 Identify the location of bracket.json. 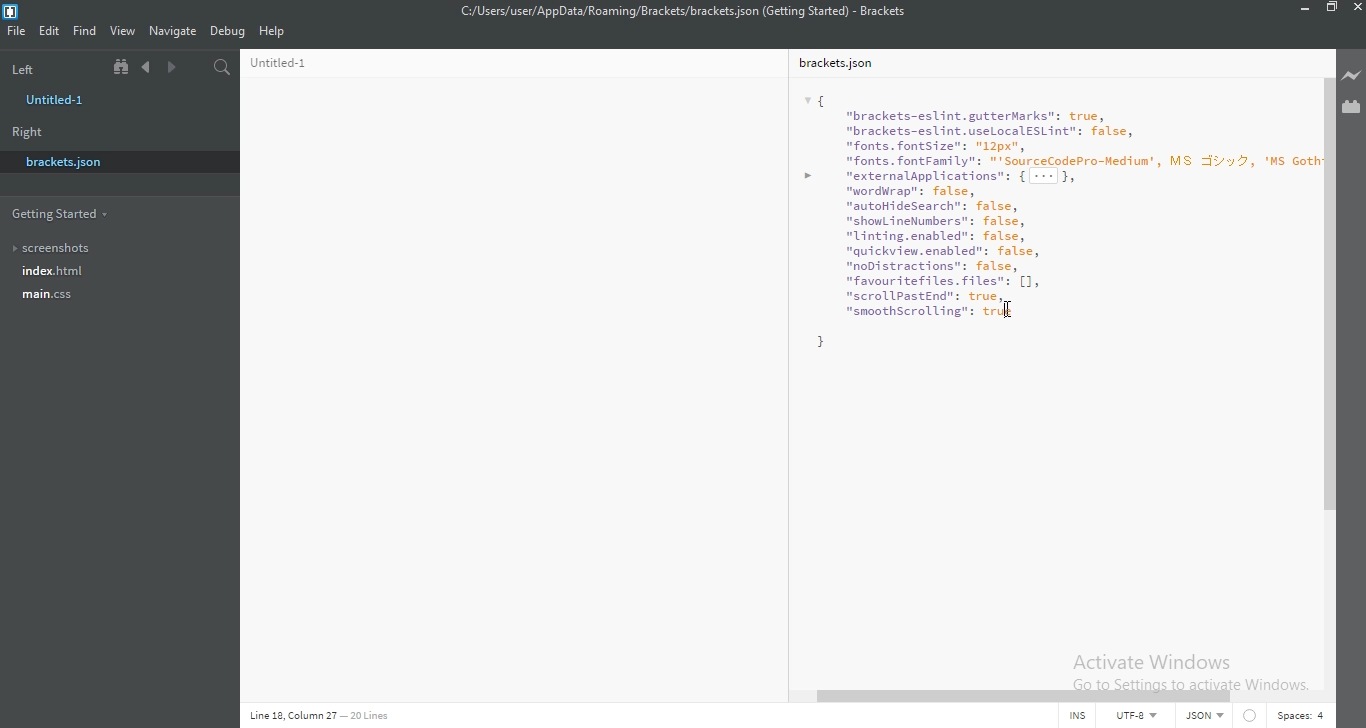
(1050, 360).